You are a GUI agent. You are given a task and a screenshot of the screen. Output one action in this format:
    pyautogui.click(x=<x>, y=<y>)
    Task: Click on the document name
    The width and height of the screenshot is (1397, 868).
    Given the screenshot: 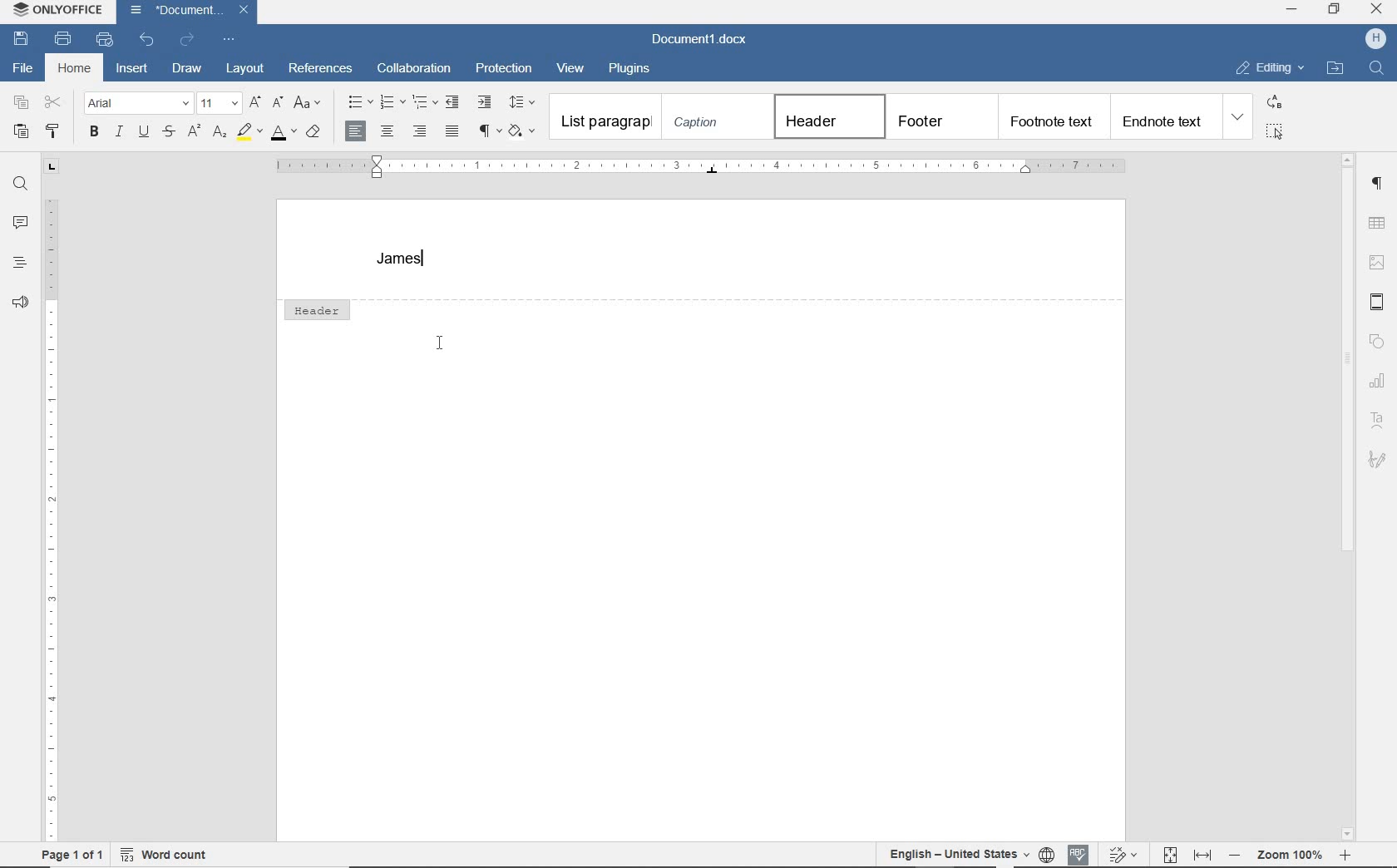 What is the action you would take?
    pyautogui.click(x=175, y=11)
    